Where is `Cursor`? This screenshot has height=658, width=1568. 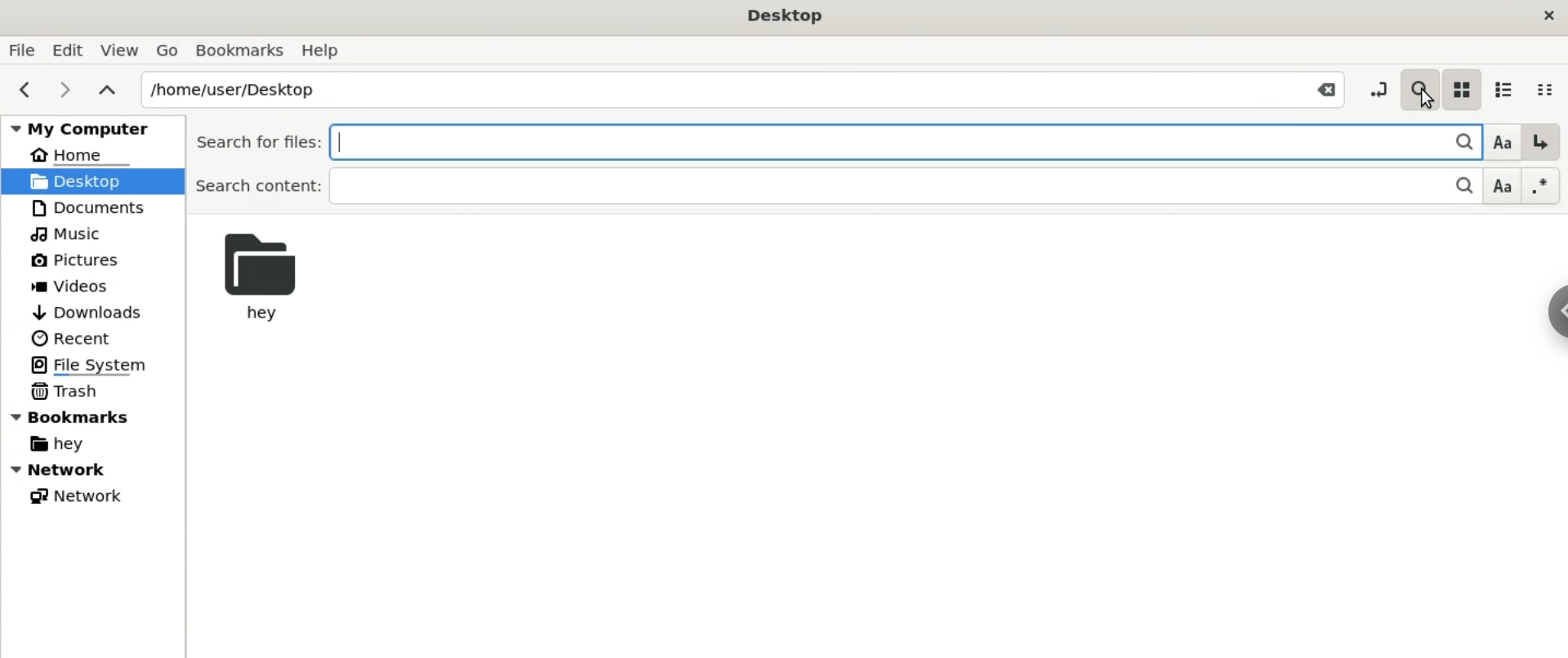
Cursor is located at coordinates (1423, 102).